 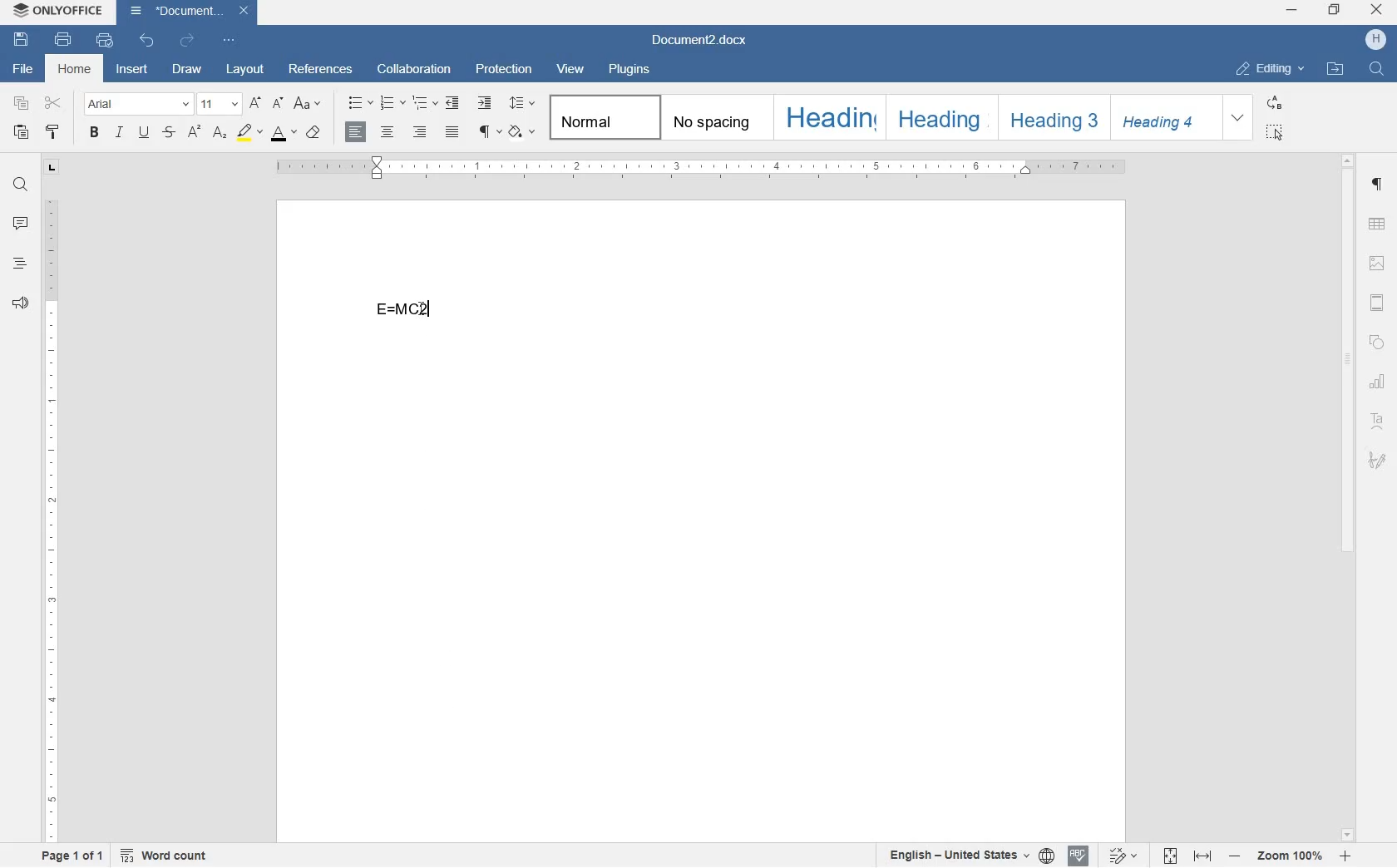 What do you see at coordinates (323, 68) in the screenshot?
I see `references` at bounding box center [323, 68].